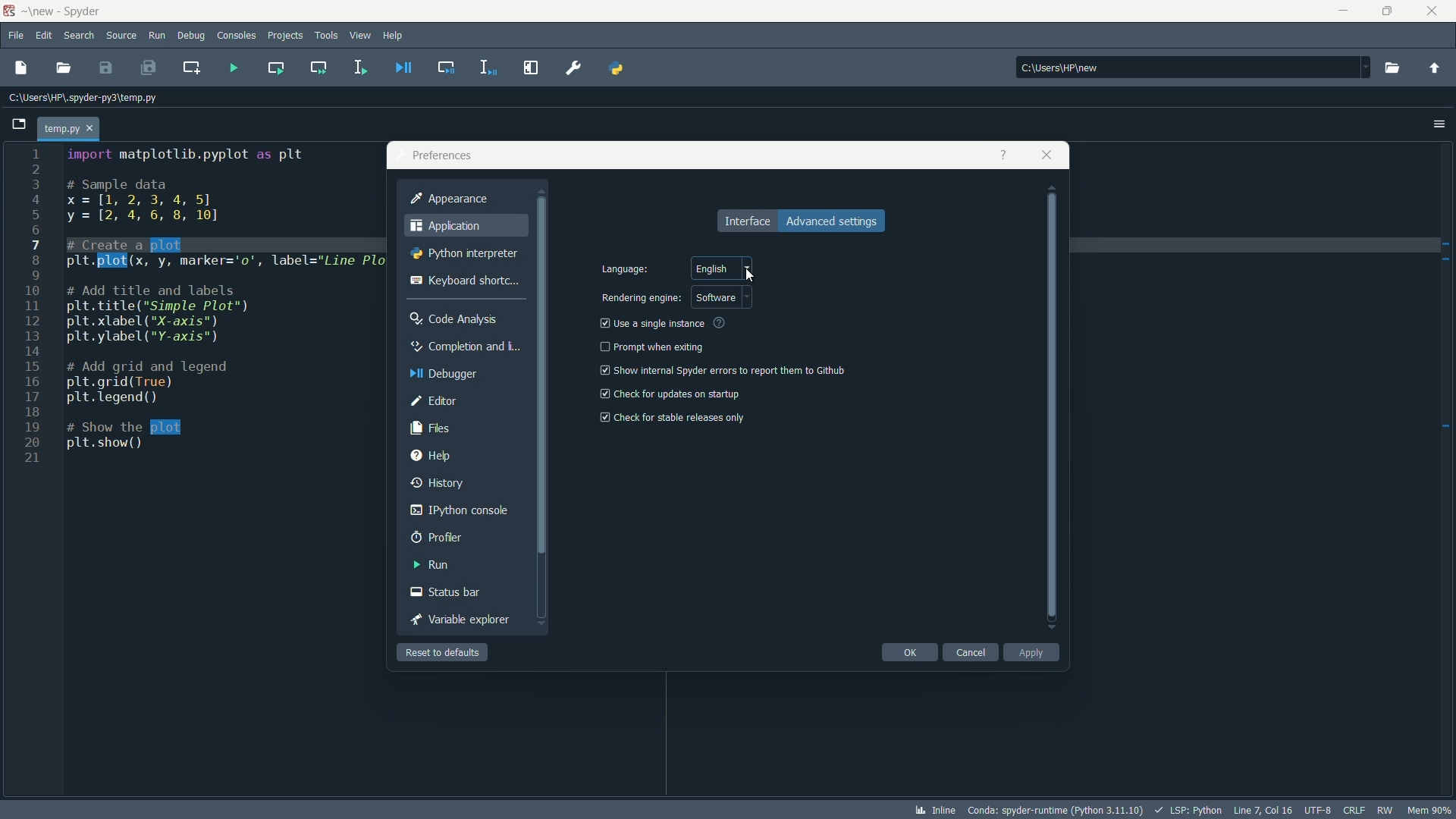  Describe the element at coordinates (4098, 2671) in the screenshot. I see `checkbox` at that location.